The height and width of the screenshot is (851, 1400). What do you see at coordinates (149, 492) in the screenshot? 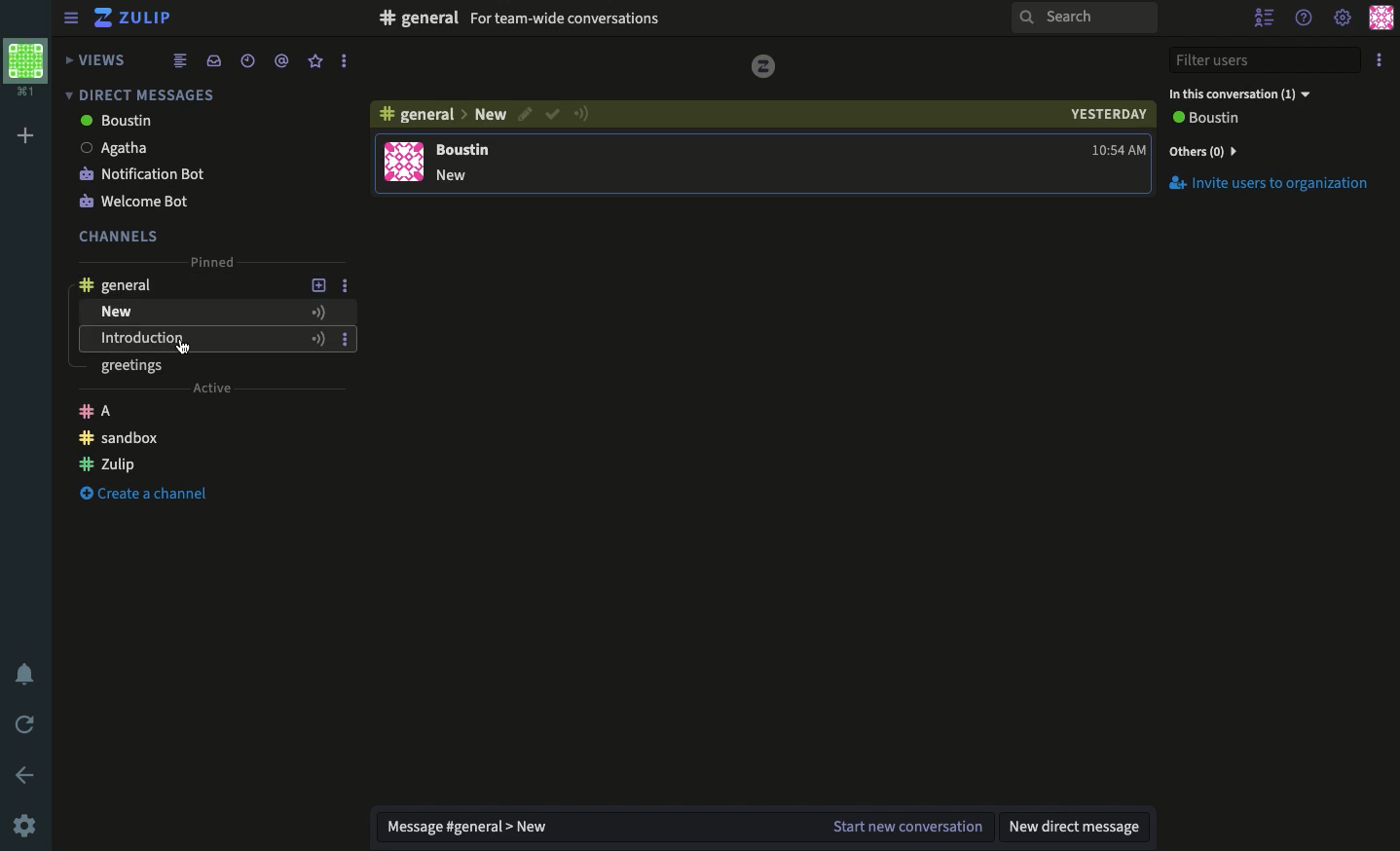
I see `Create a channel` at bounding box center [149, 492].